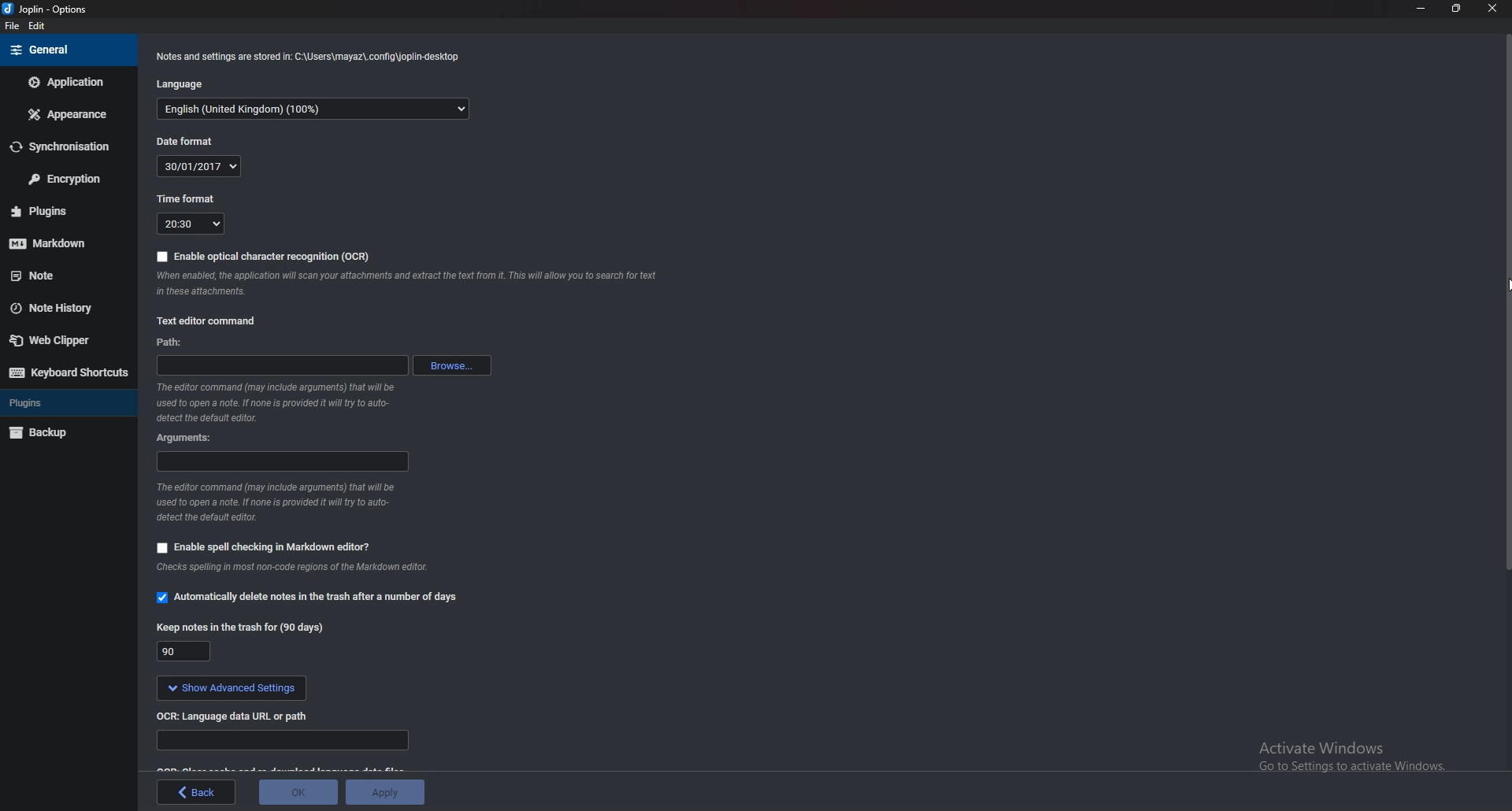  Describe the element at coordinates (200, 166) in the screenshot. I see `30/01/2017` at that location.